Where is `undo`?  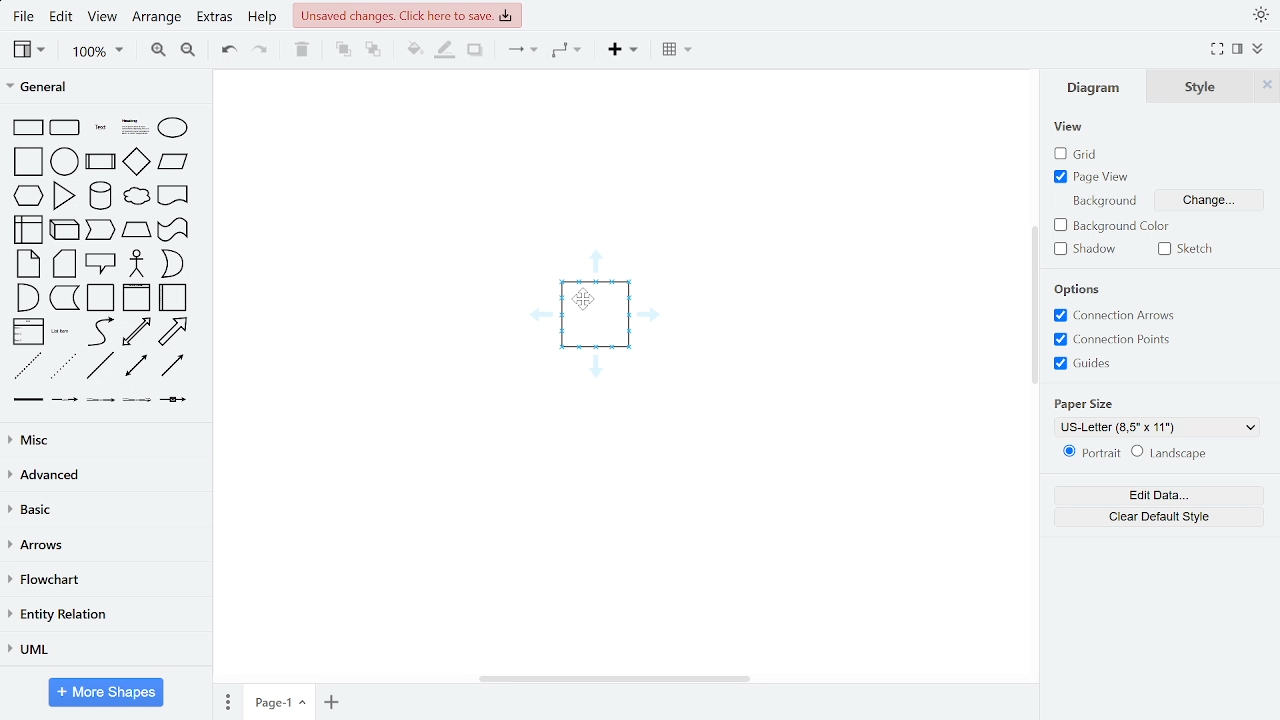 undo is located at coordinates (228, 51).